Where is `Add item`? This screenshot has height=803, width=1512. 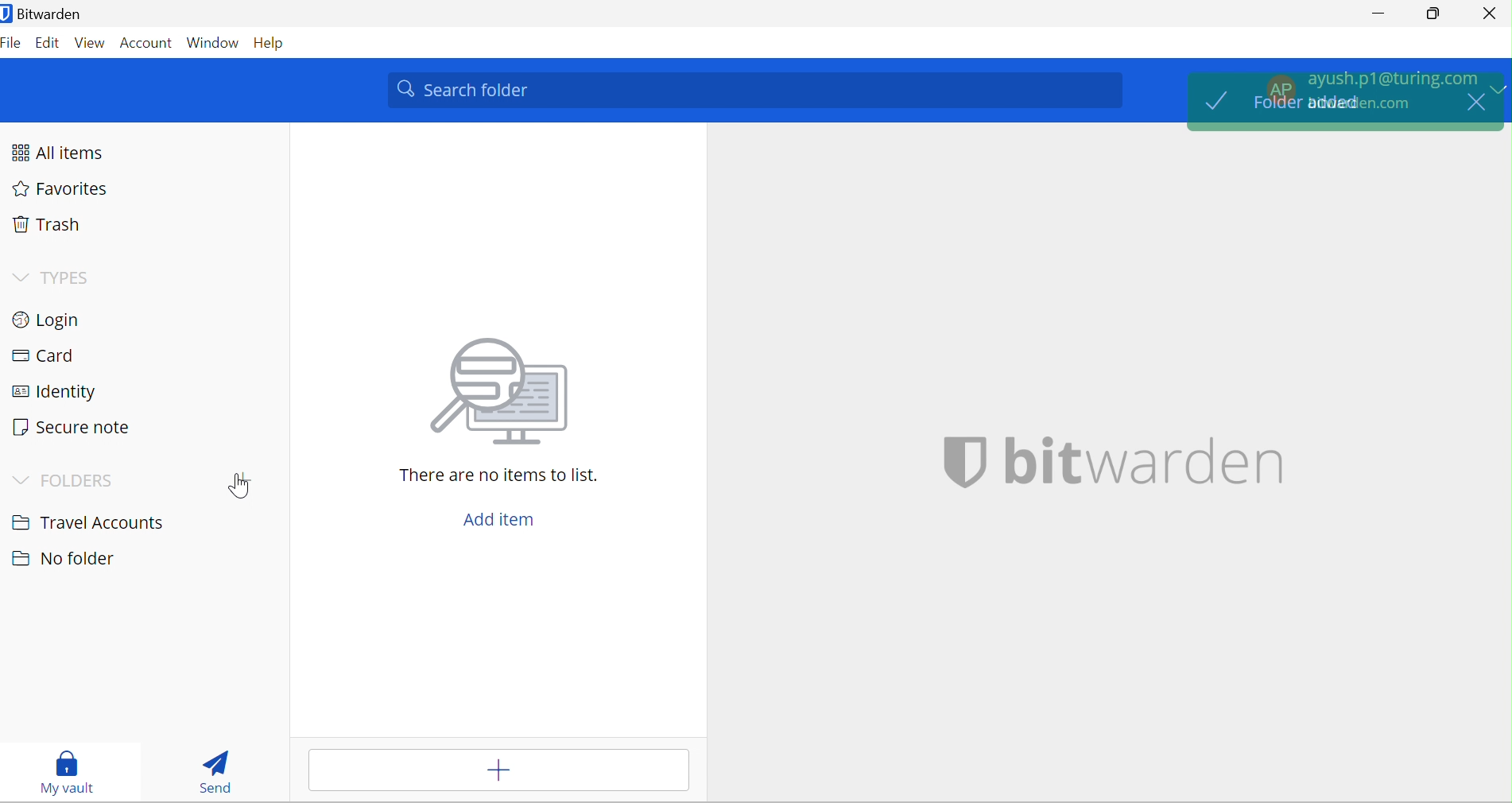
Add item is located at coordinates (498, 771).